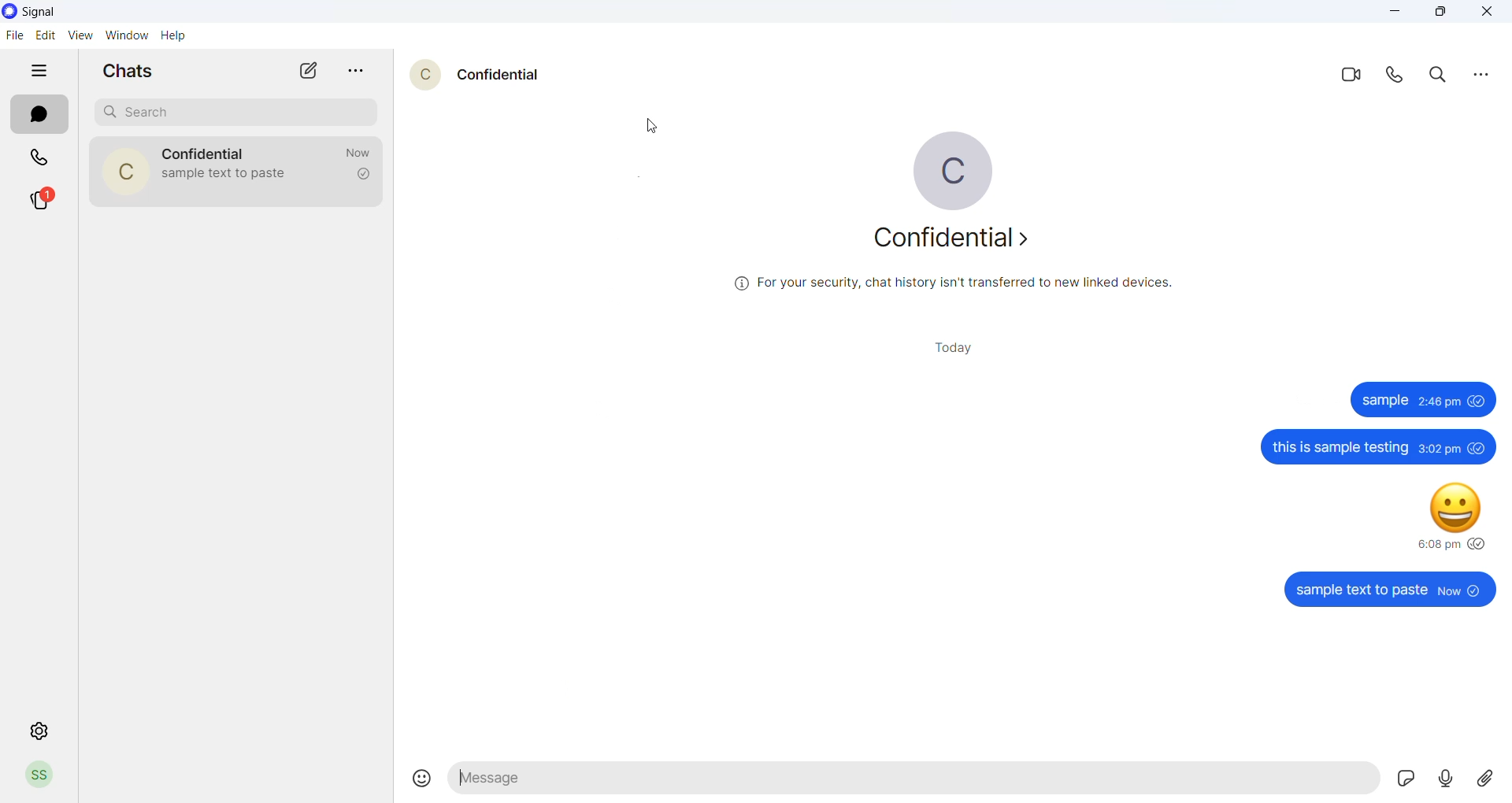 This screenshot has height=803, width=1512. Describe the element at coordinates (953, 288) in the screenshot. I see `security information` at that location.